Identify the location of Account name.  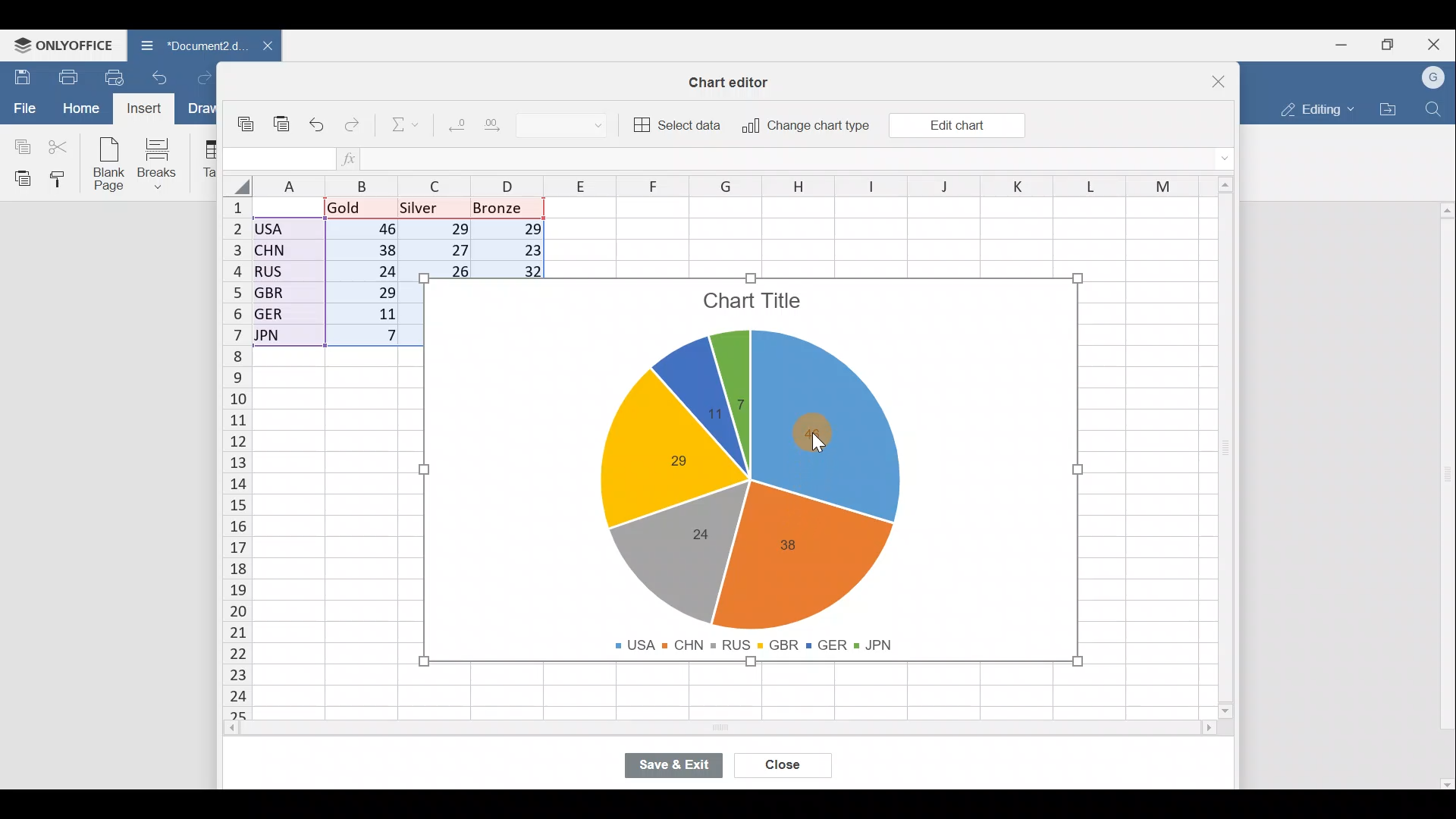
(1434, 78).